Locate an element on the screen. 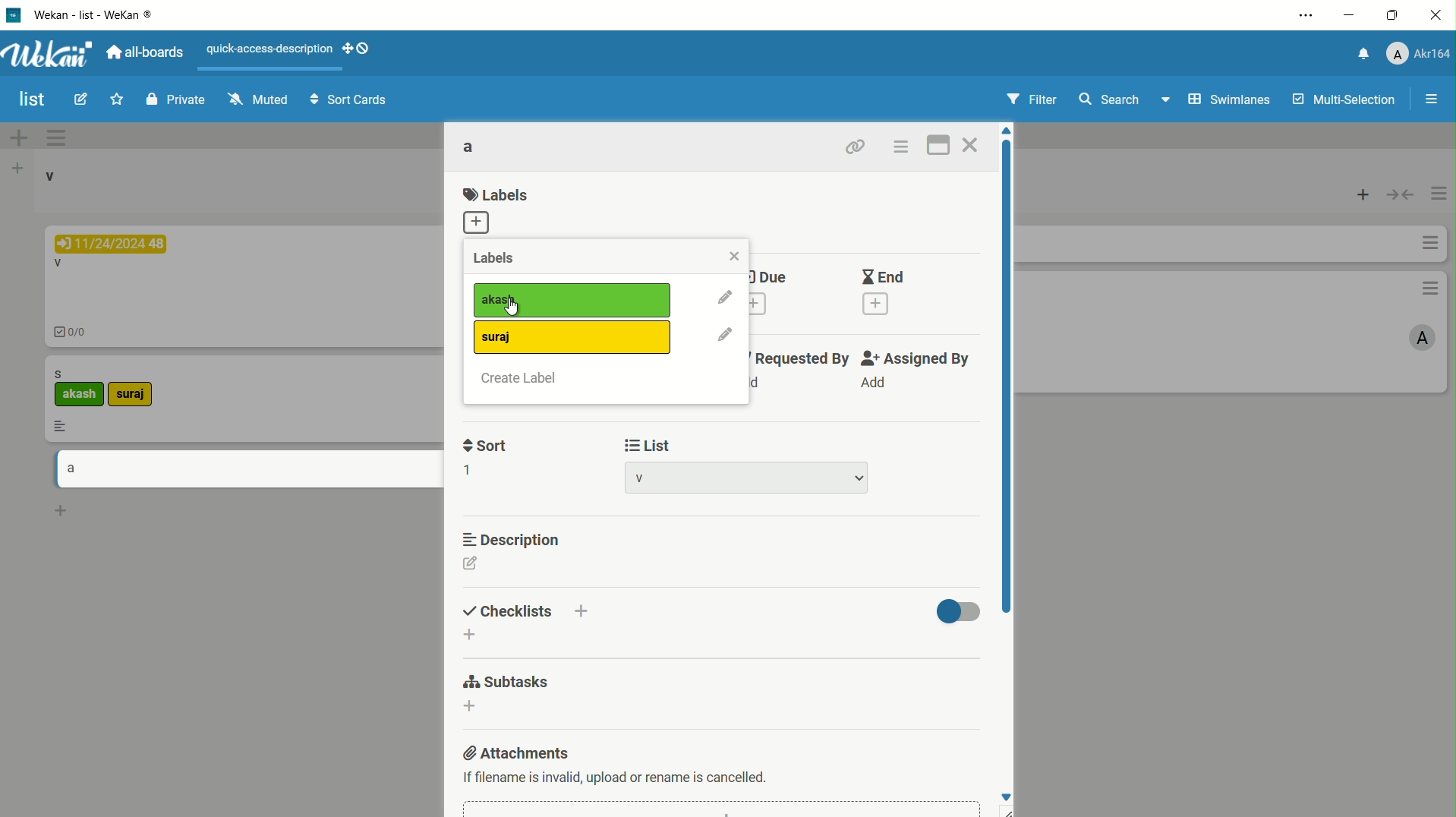  scroll bar is located at coordinates (1005, 376).